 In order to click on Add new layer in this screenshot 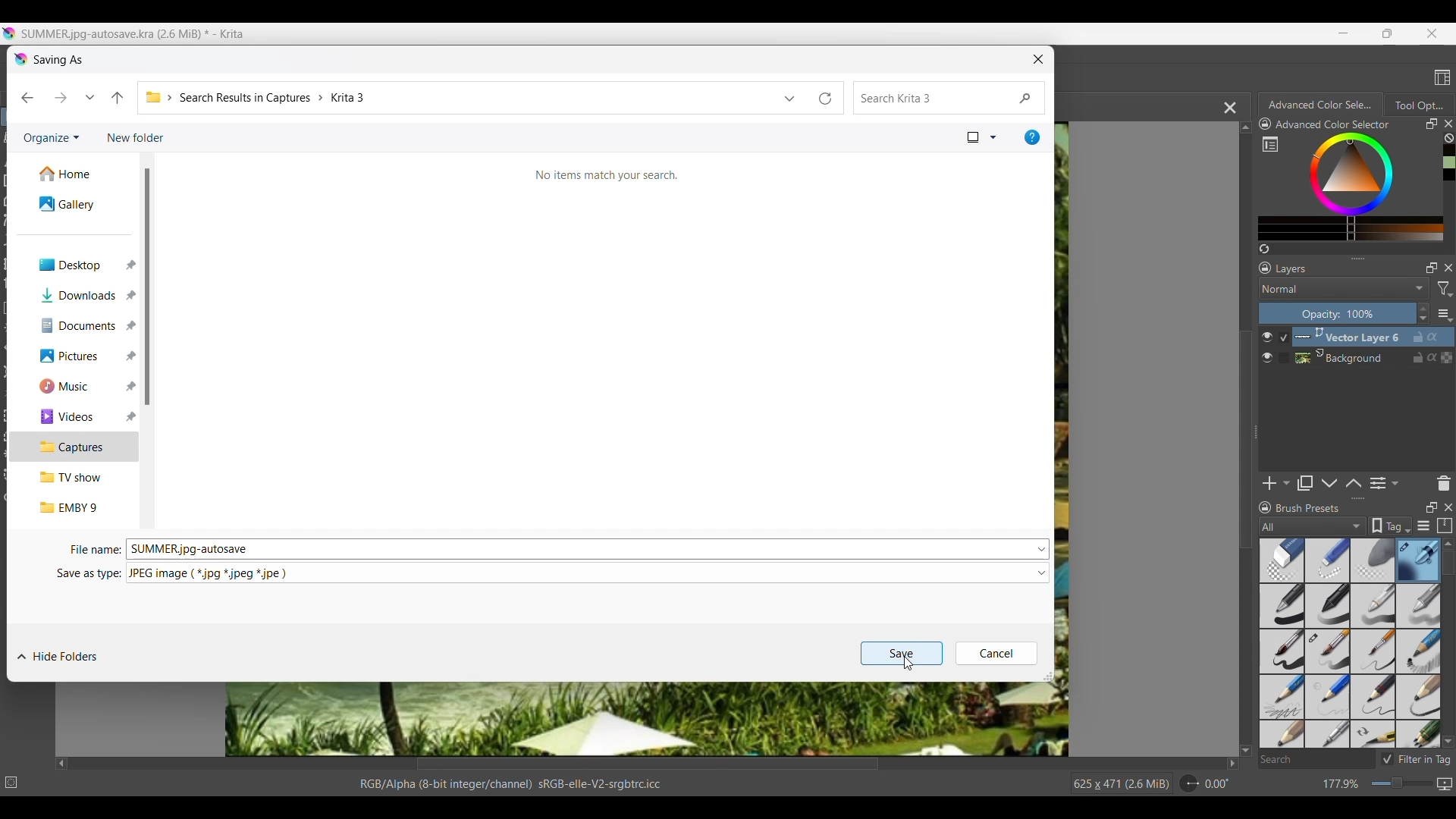, I will do `click(1276, 483)`.